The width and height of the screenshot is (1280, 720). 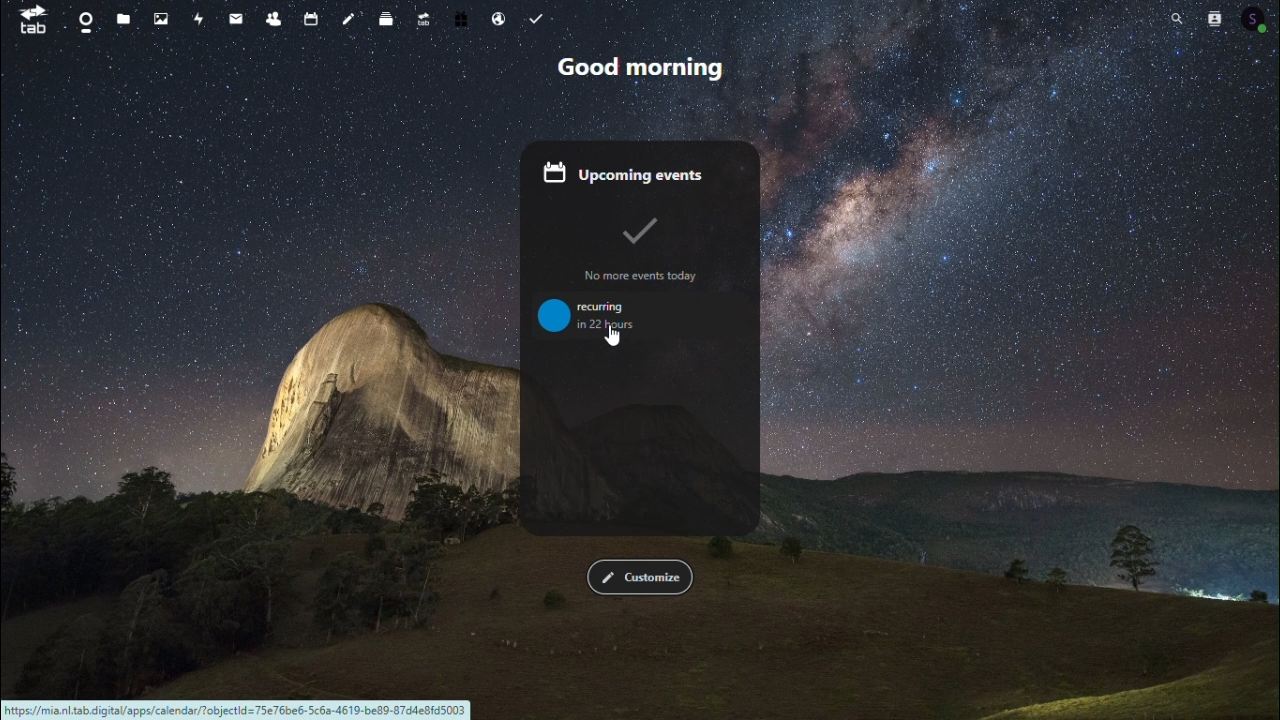 What do you see at coordinates (240, 16) in the screenshot?
I see `mail` at bounding box center [240, 16].